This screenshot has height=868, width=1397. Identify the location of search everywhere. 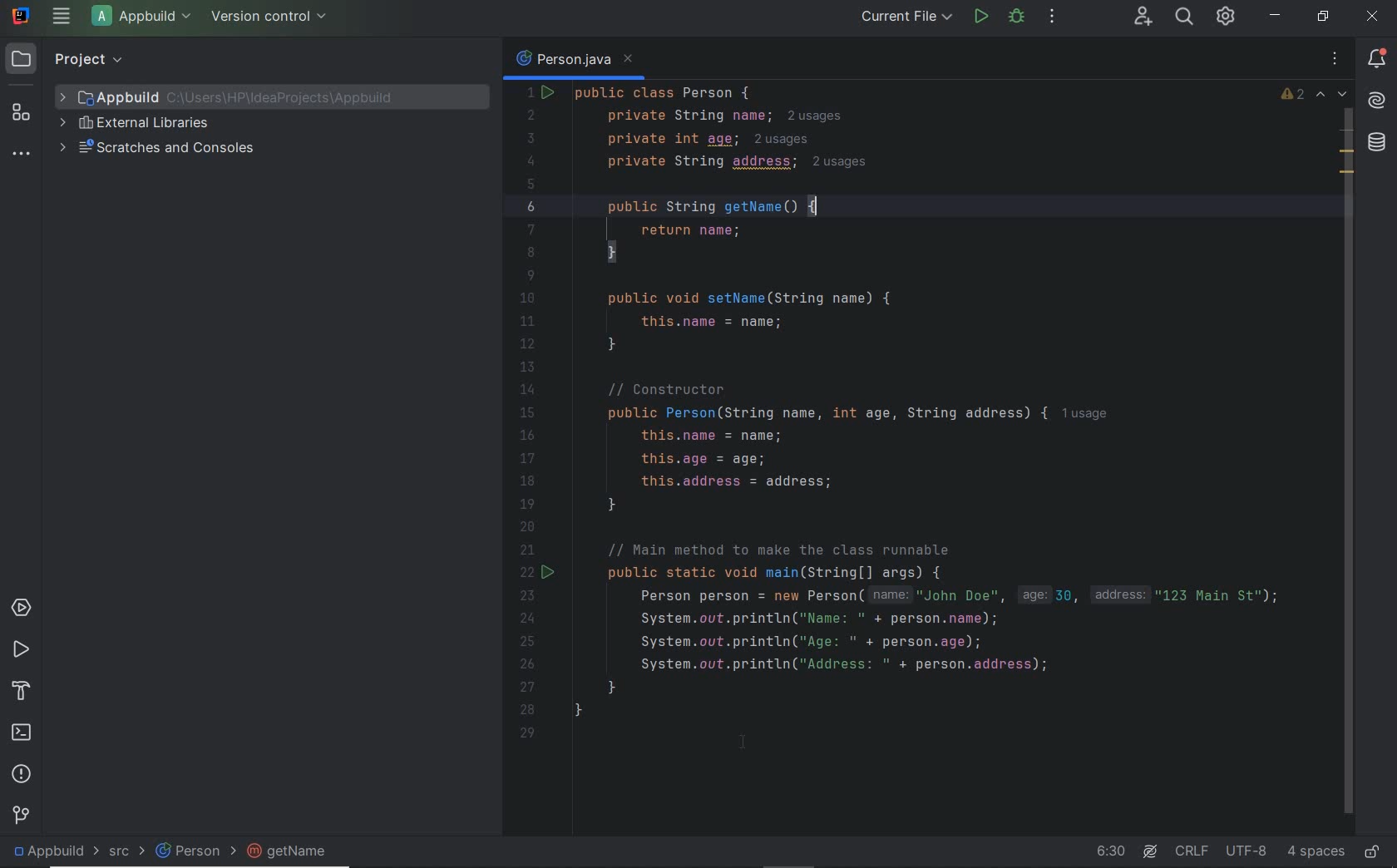
(1186, 18).